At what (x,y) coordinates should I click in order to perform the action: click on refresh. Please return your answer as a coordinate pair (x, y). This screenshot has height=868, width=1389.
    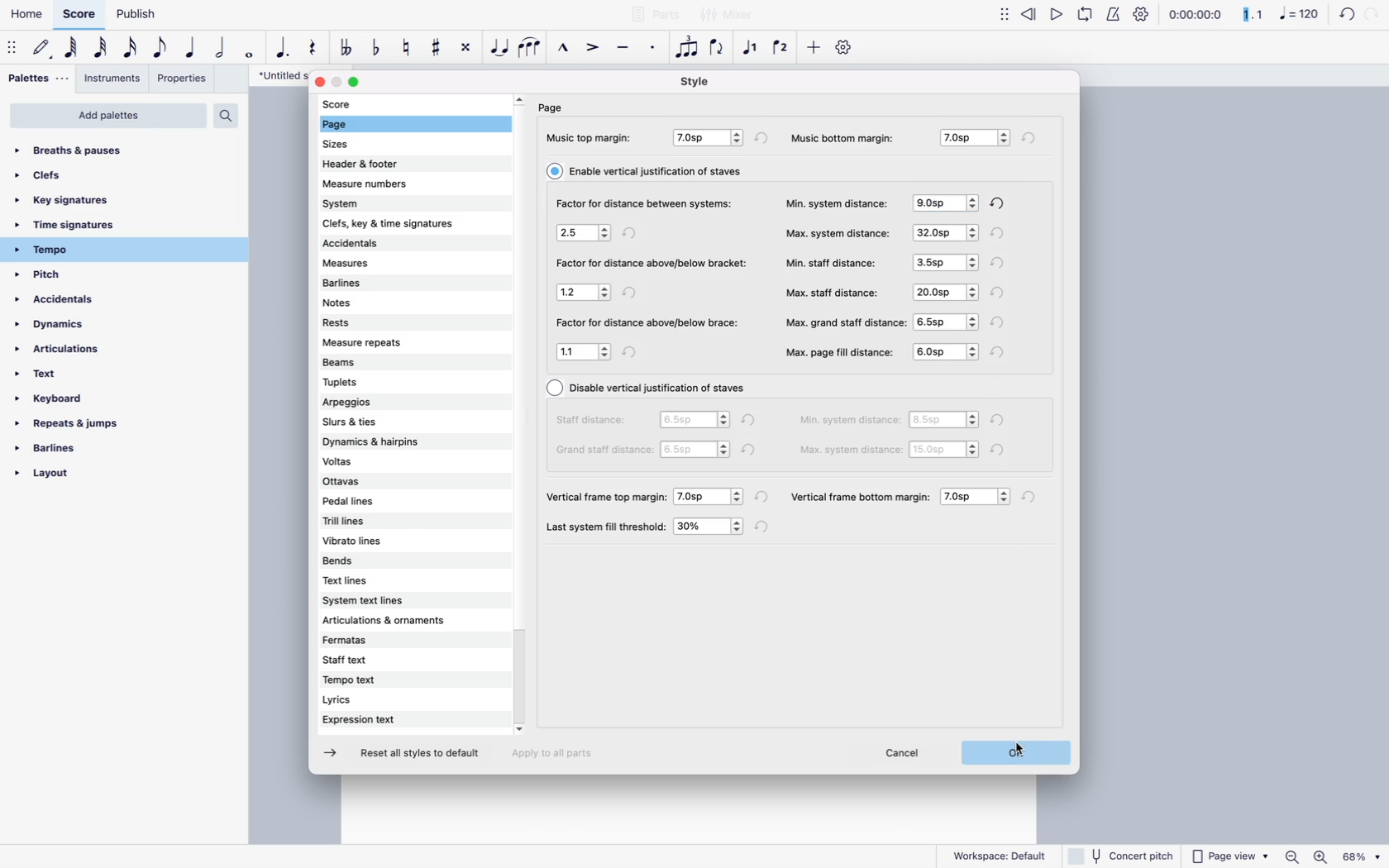
    Looking at the image, I should click on (636, 351).